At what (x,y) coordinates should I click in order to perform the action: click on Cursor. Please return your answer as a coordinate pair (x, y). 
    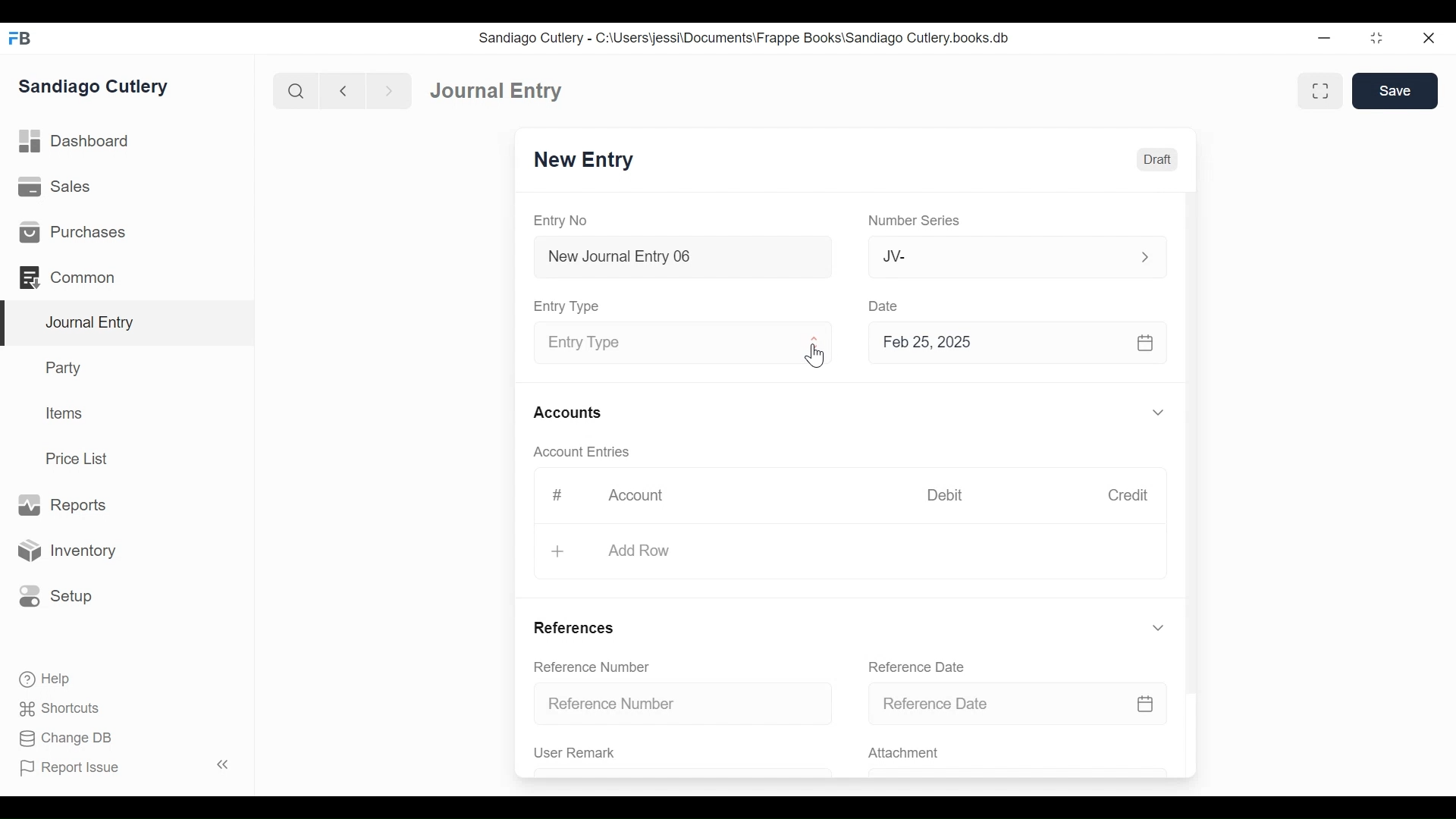
    Looking at the image, I should click on (817, 357).